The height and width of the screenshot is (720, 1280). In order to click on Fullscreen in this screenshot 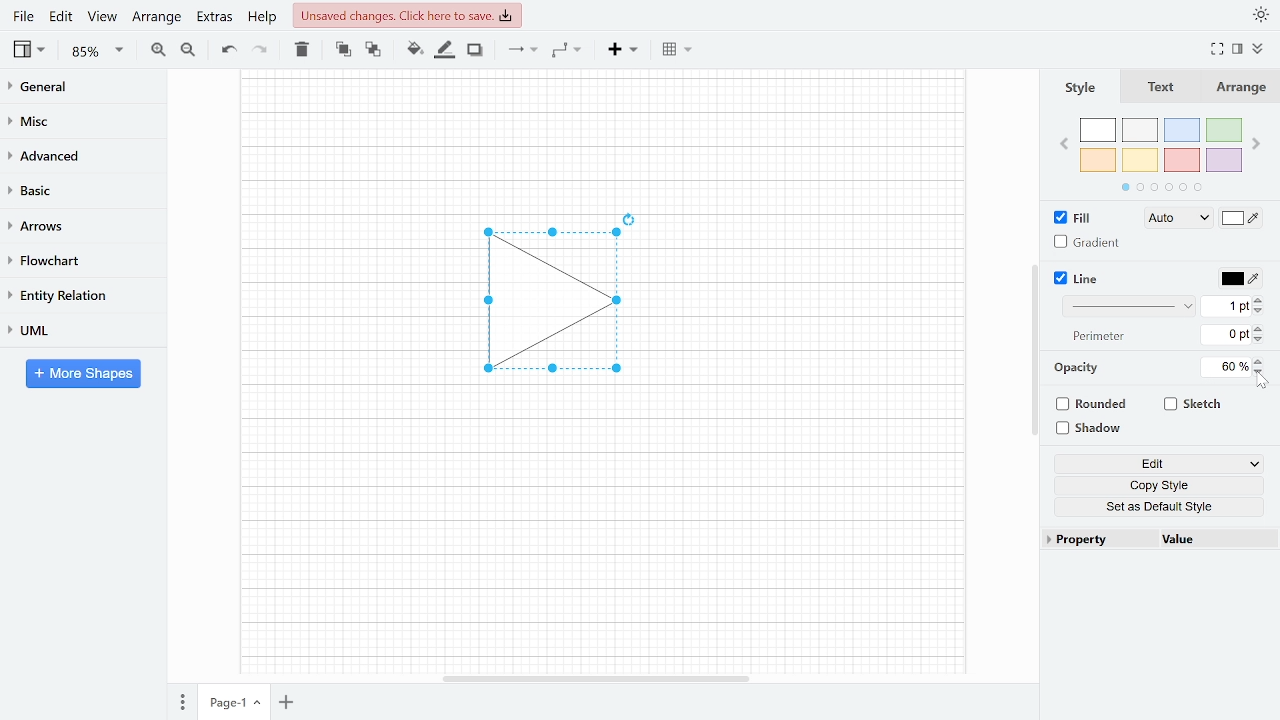, I will do `click(1220, 49)`.